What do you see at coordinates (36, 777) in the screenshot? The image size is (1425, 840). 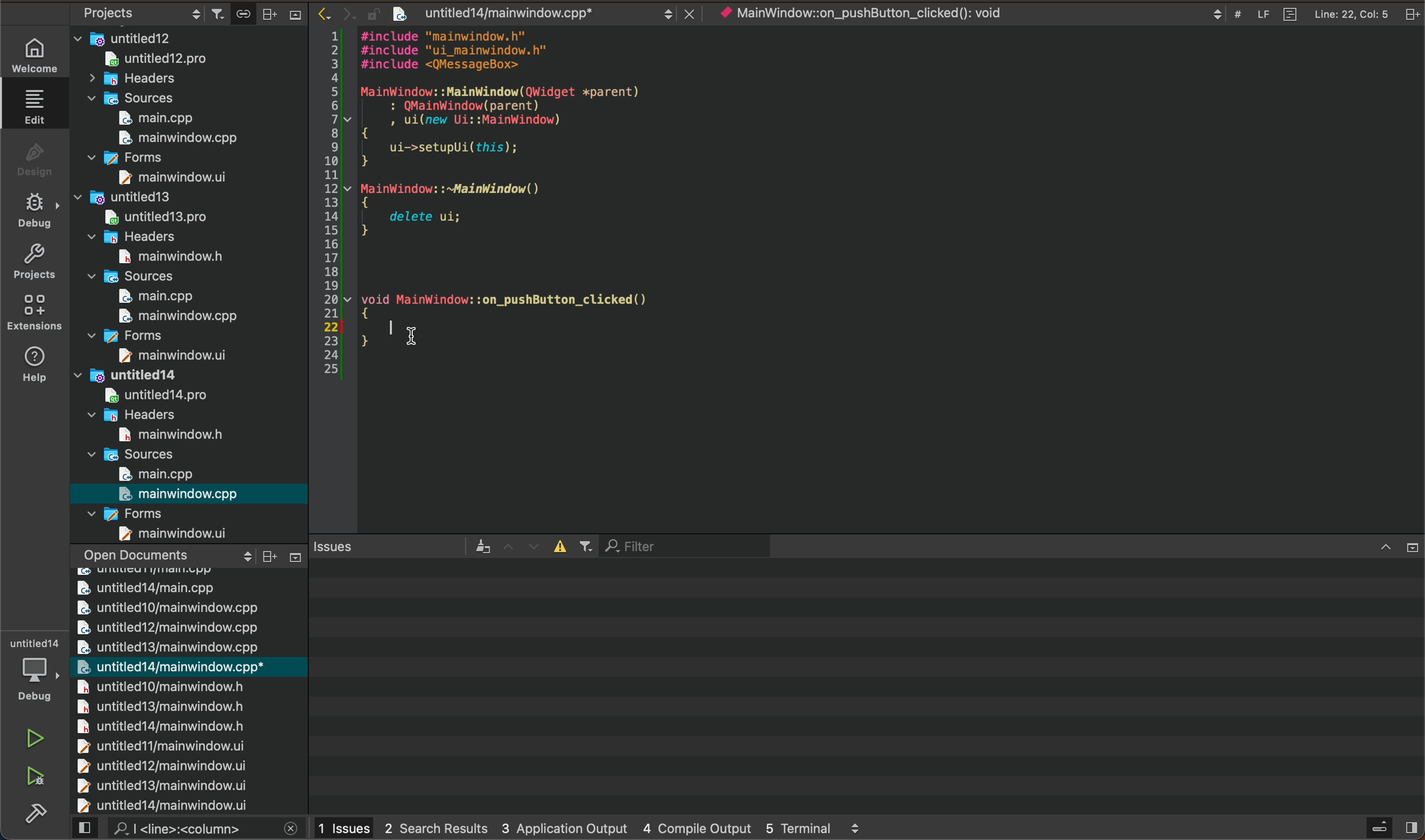 I see `run and debug` at bounding box center [36, 777].